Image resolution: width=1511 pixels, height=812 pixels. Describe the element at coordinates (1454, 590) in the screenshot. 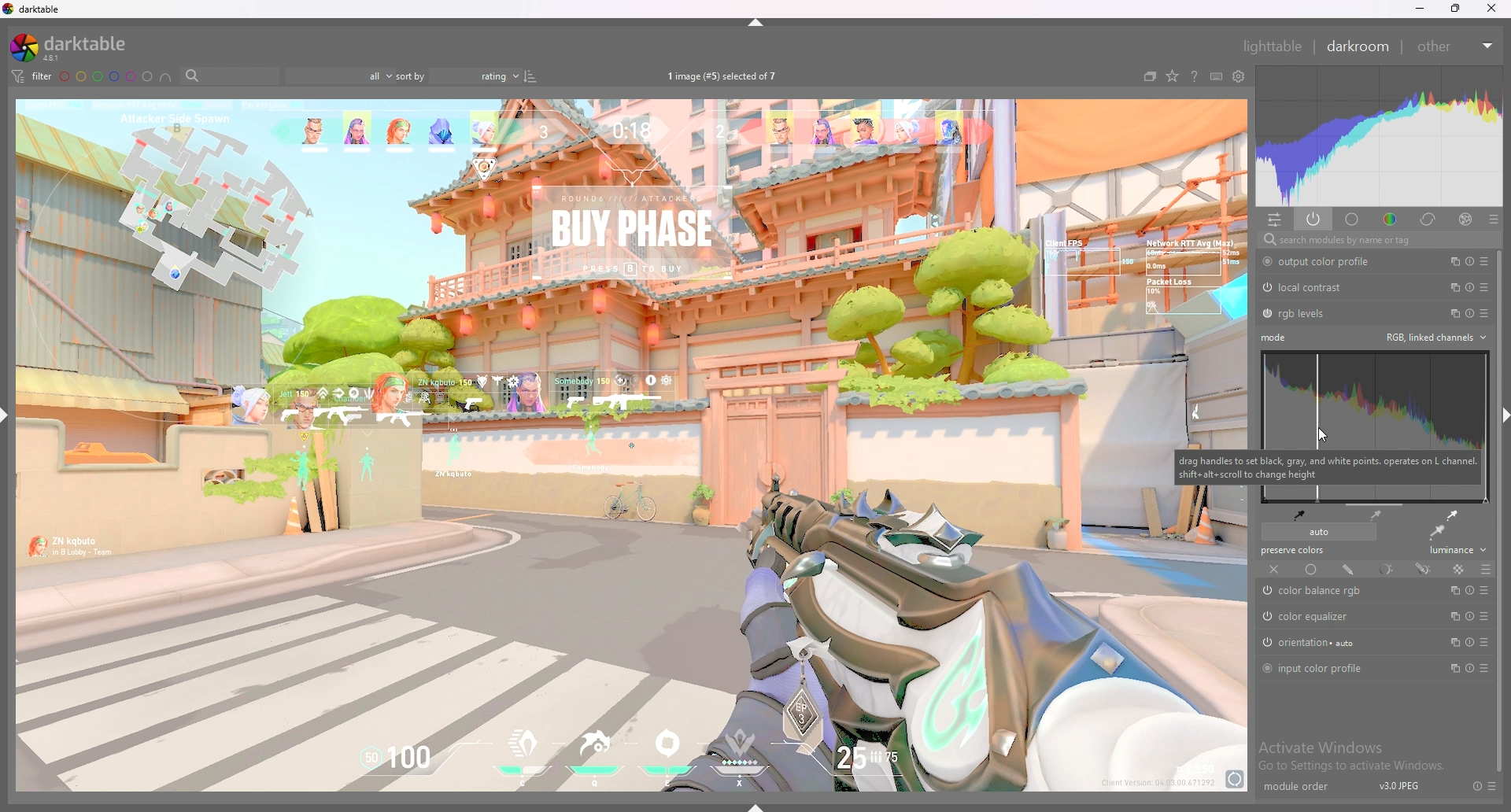

I see `multiple instances action` at that location.